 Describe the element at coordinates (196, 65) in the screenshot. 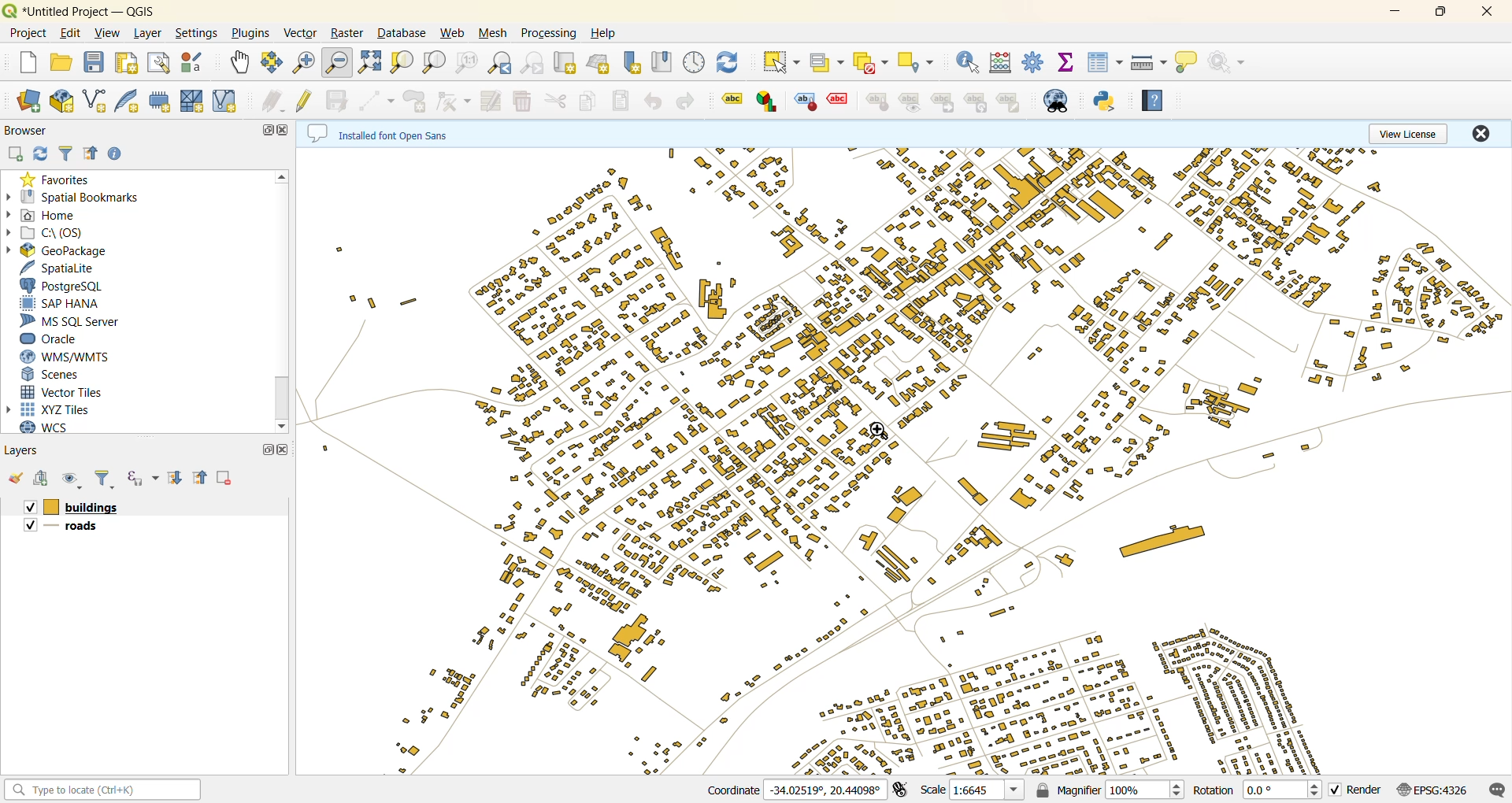

I see `style manager` at that location.